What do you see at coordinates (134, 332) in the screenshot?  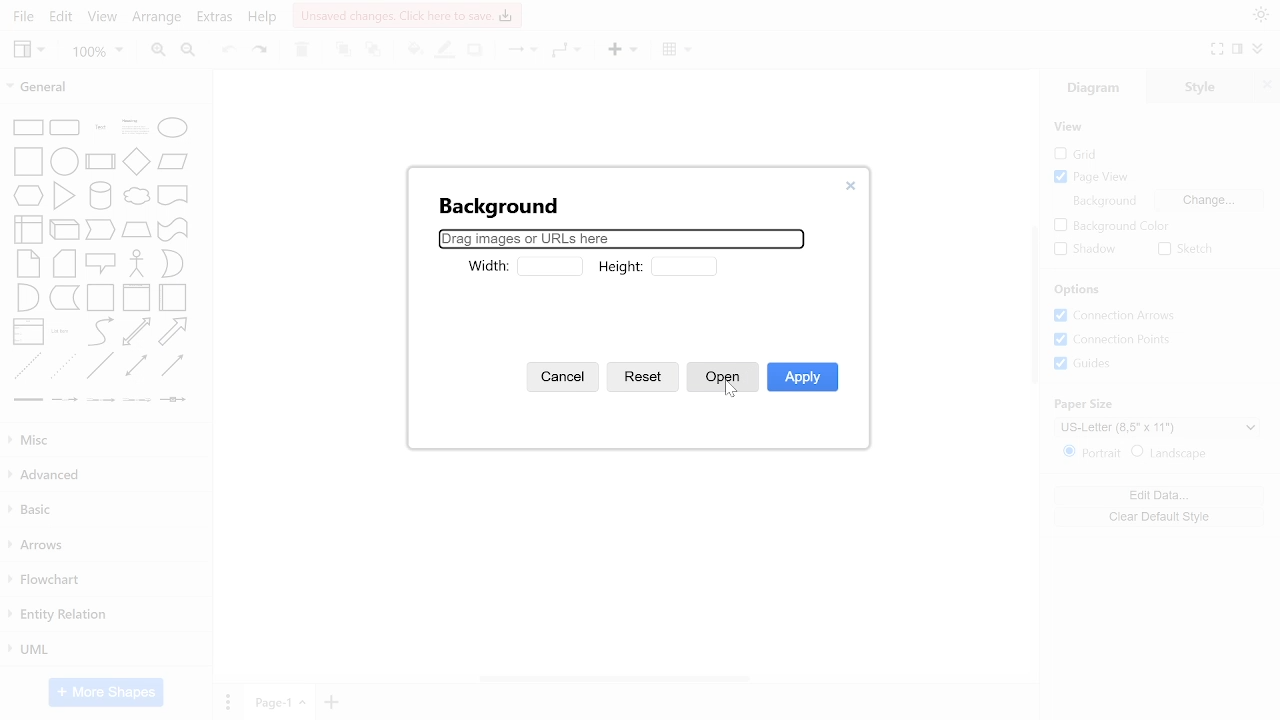 I see `general shapes` at bounding box center [134, 332].